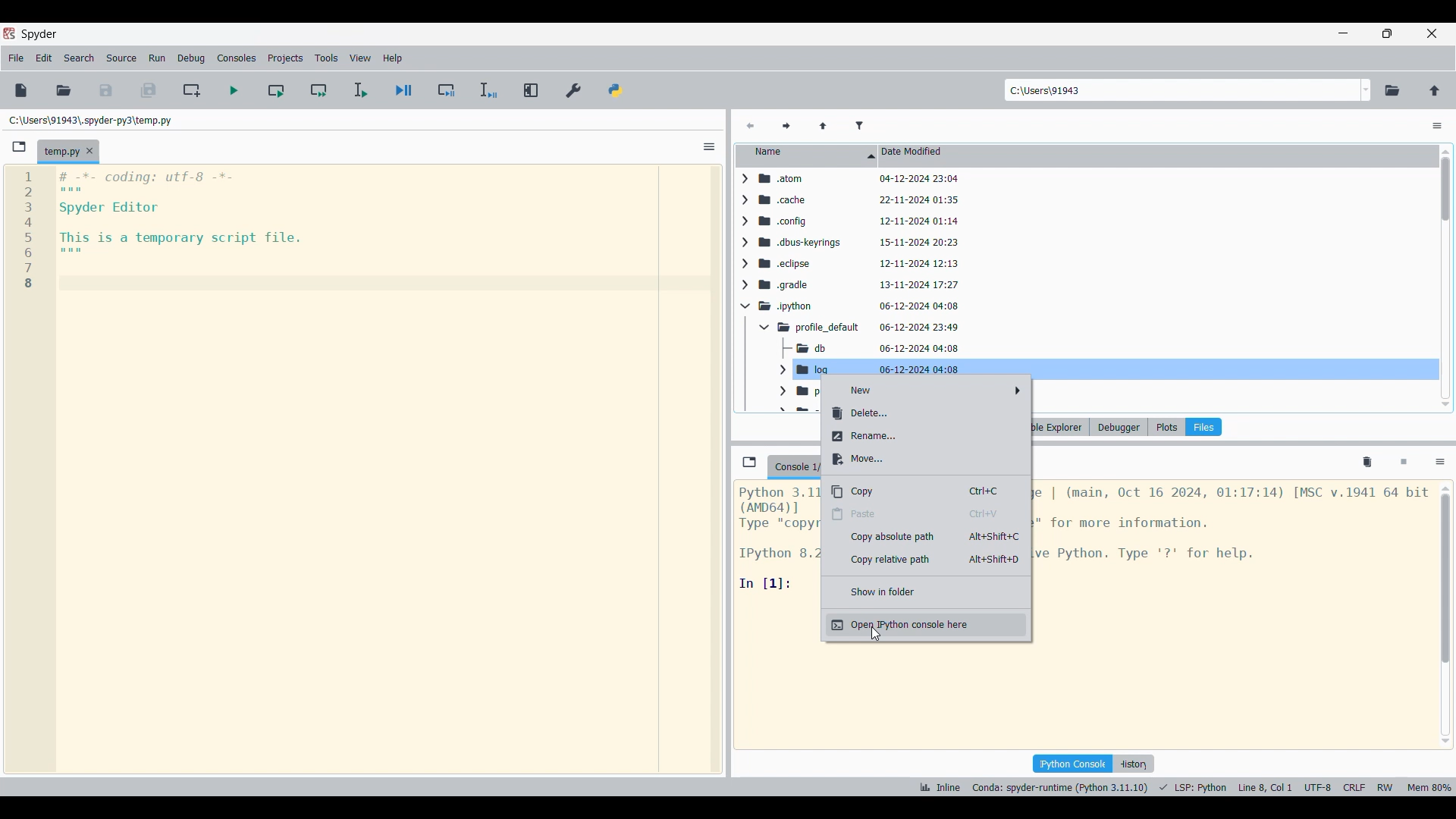 The image size is (1456, 819). Describe the element at coordinates (157, 58) in the screenshot. I see `Run menu` at that location.